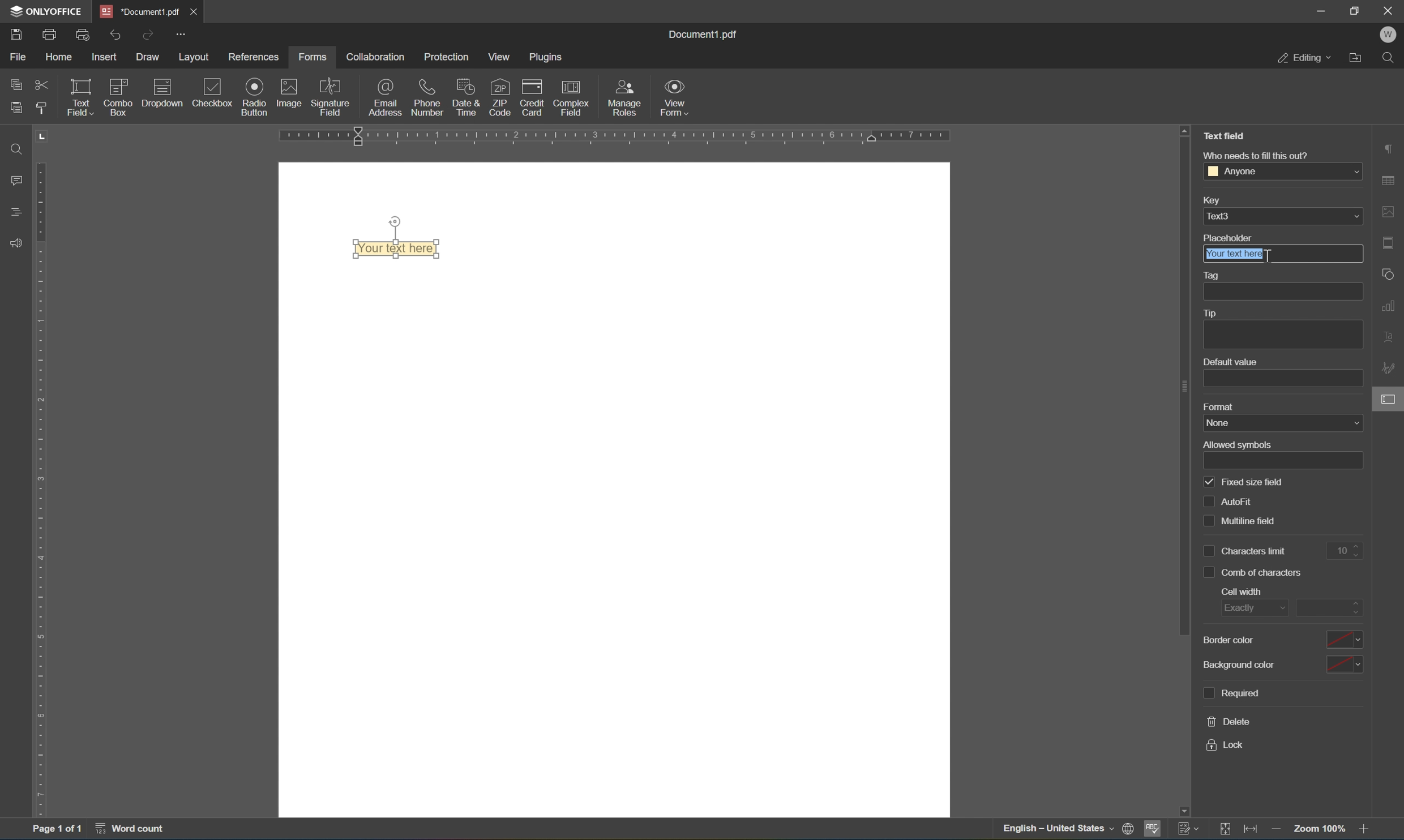  I want to click on signature settings, so click(1390, 370).